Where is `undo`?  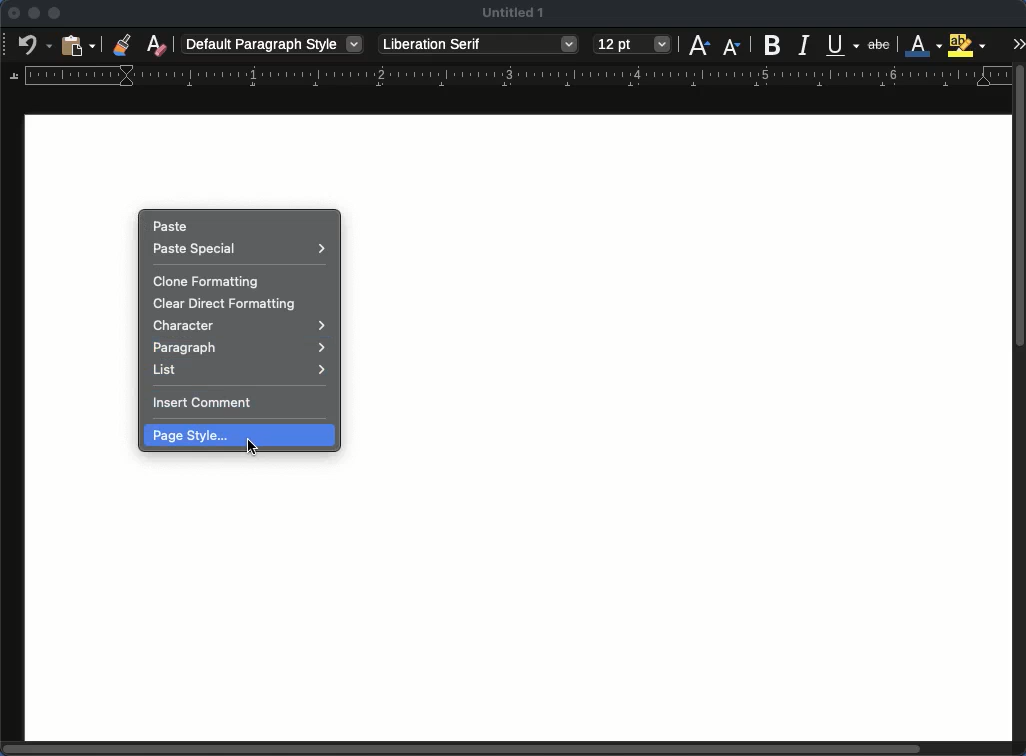
undo is located at coordinates (32, 46).